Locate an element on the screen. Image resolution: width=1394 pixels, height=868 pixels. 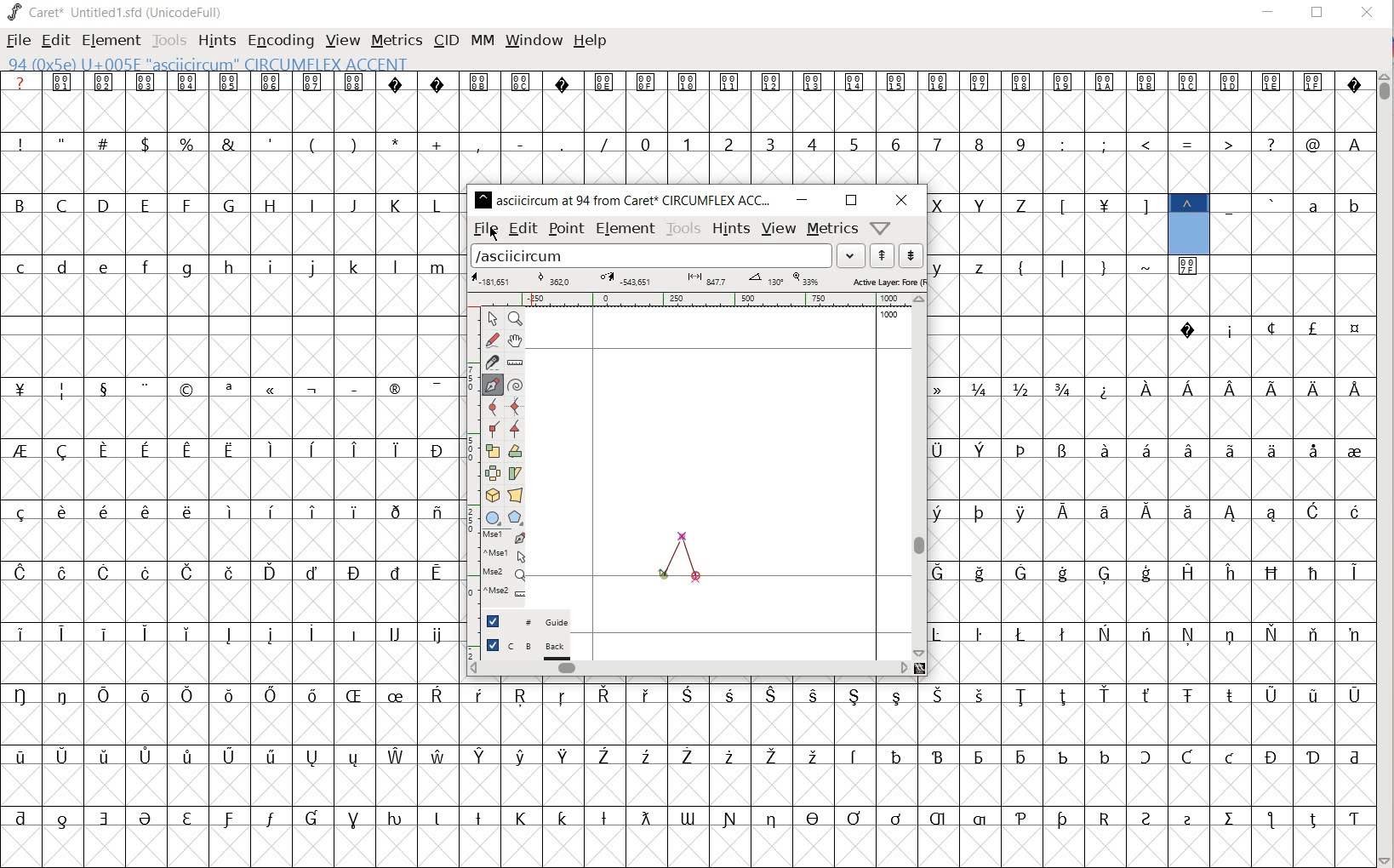
glyph characters is located at coordinates (920, 127).